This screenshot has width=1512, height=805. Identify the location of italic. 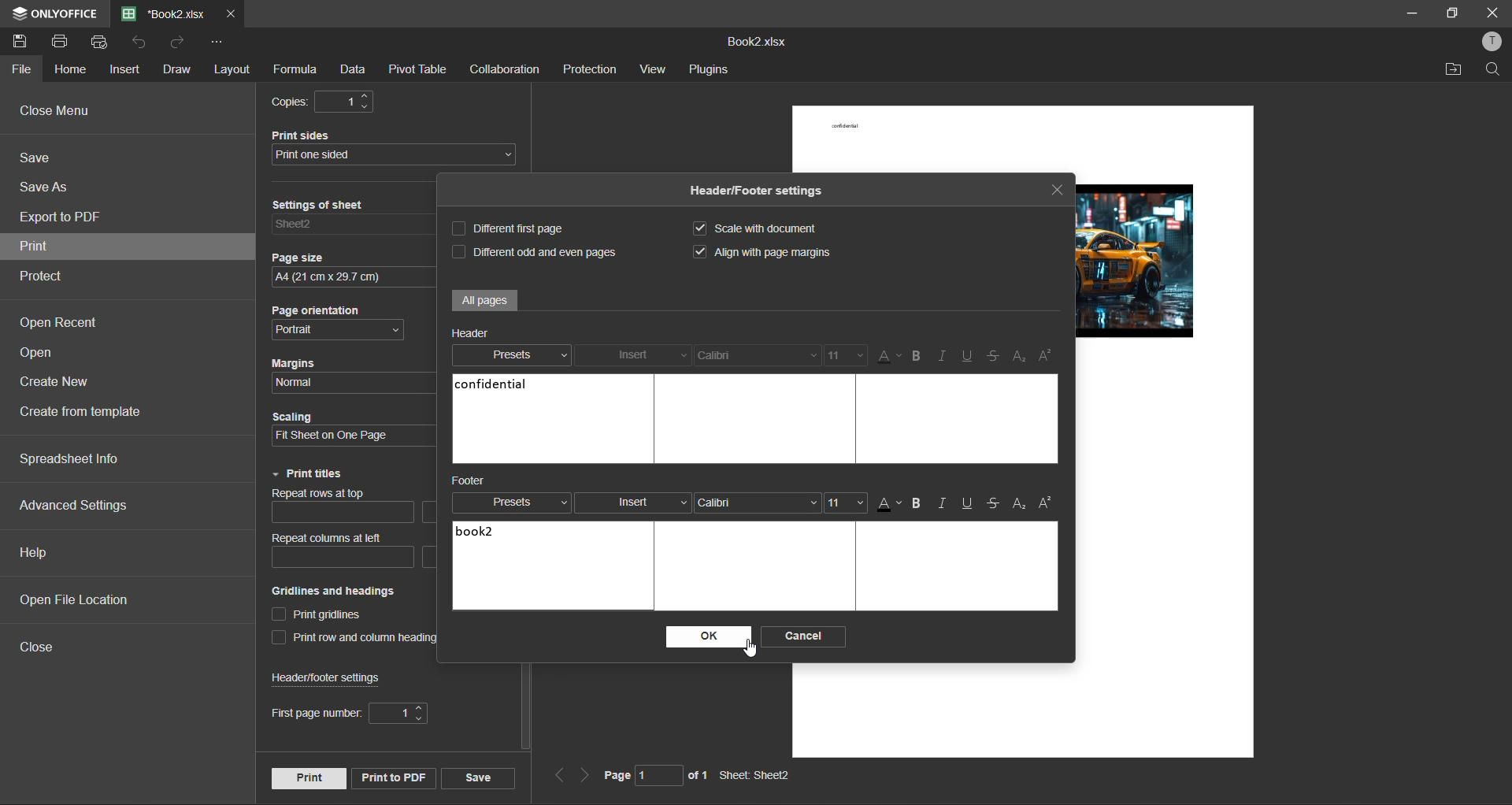
(943, 504).